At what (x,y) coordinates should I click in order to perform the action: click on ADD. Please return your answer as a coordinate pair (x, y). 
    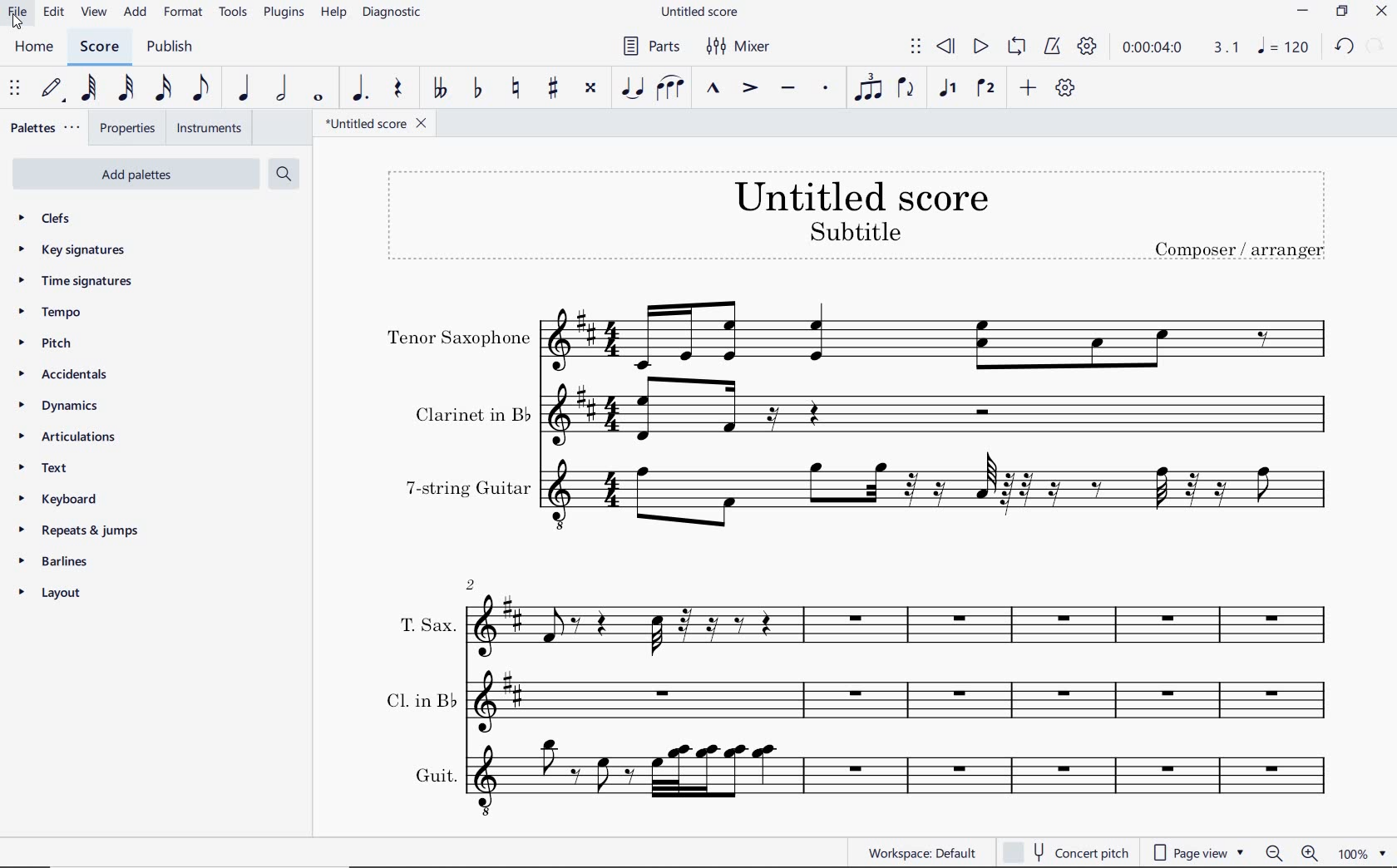
    Looking at the image, I should click on (1030, 87).